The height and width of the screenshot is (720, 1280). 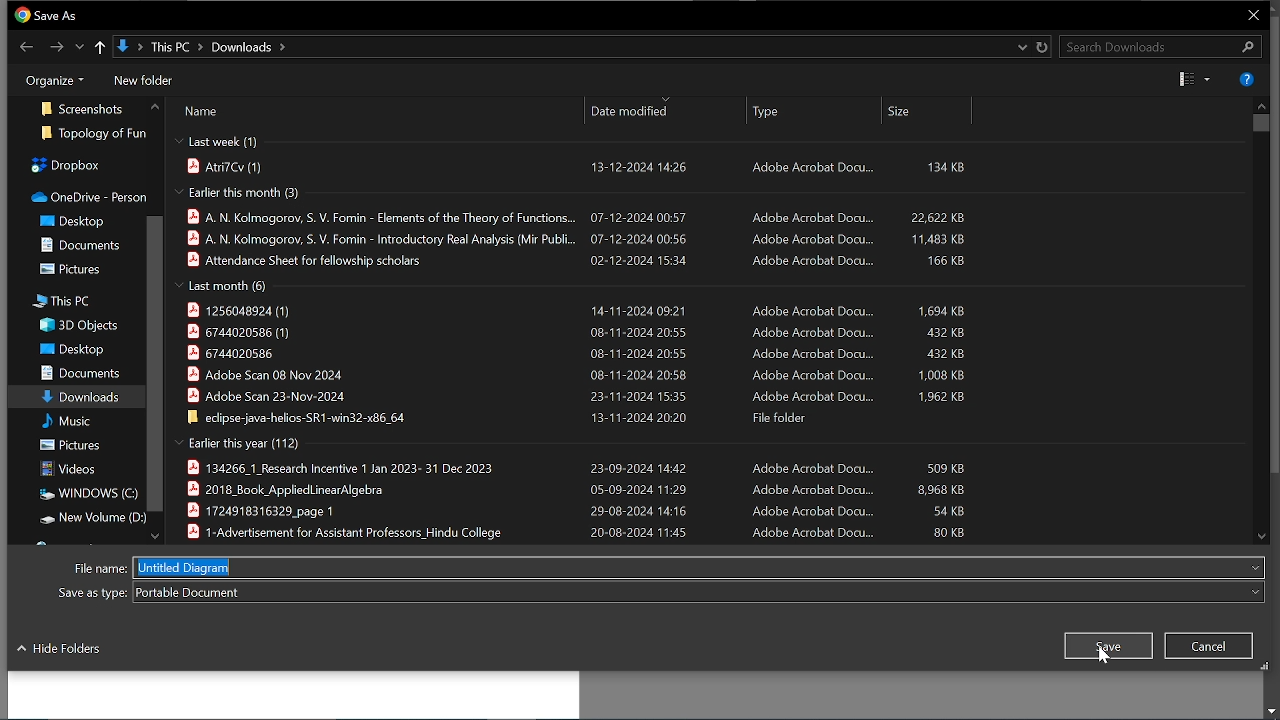 I want to click on Organize, so click(x=47, y=84).